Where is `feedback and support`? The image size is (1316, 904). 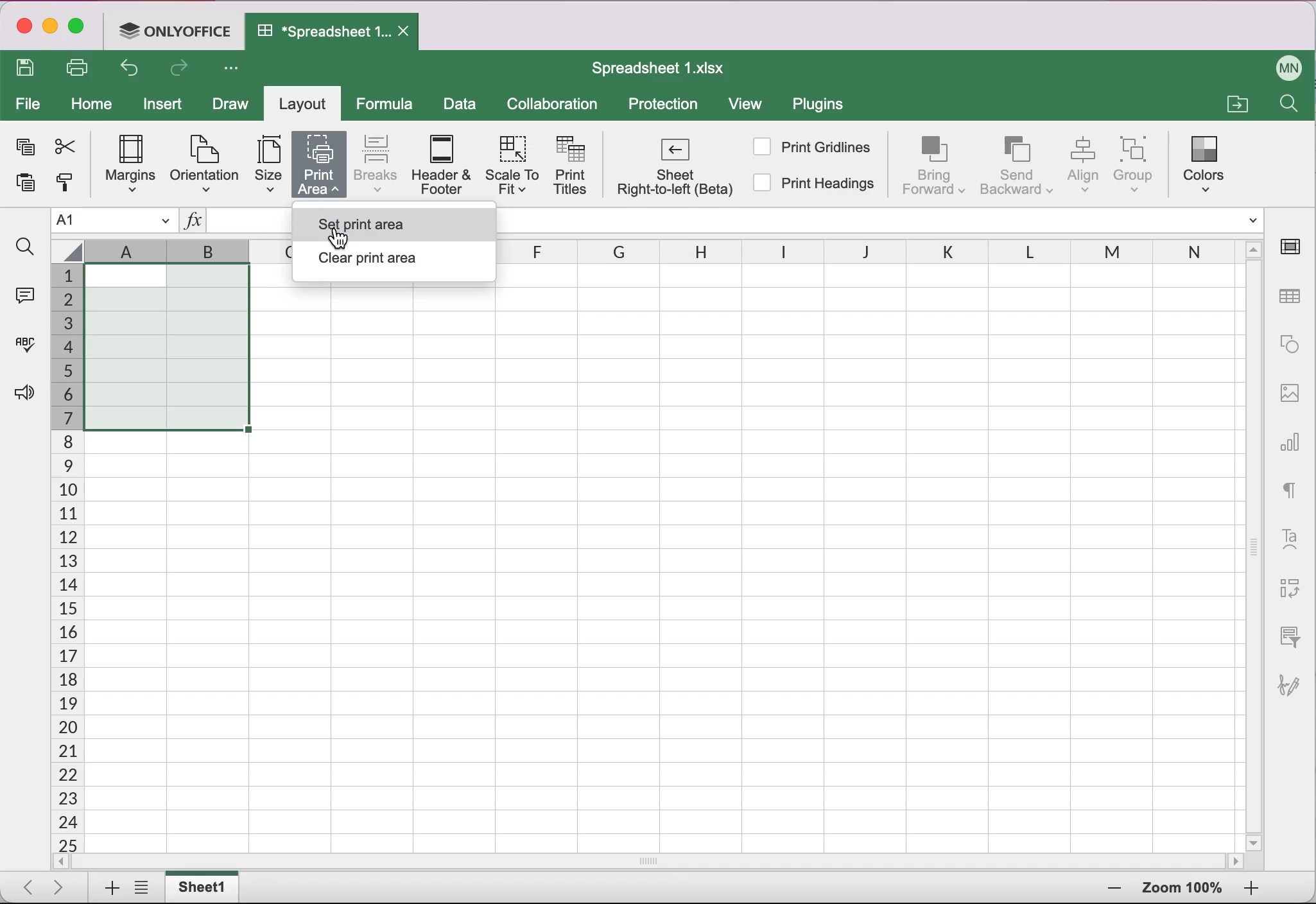 feedback and support is located at coordinates (21, 394).